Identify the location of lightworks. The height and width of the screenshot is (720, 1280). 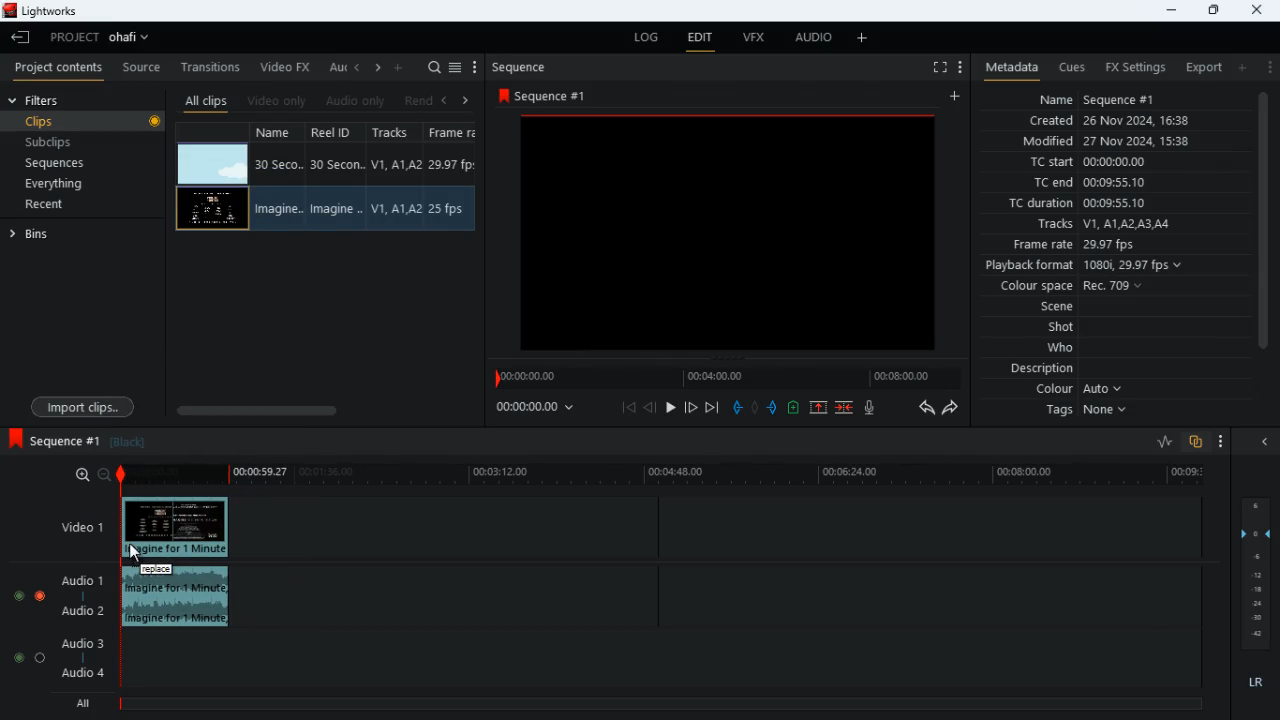
(42, 10).